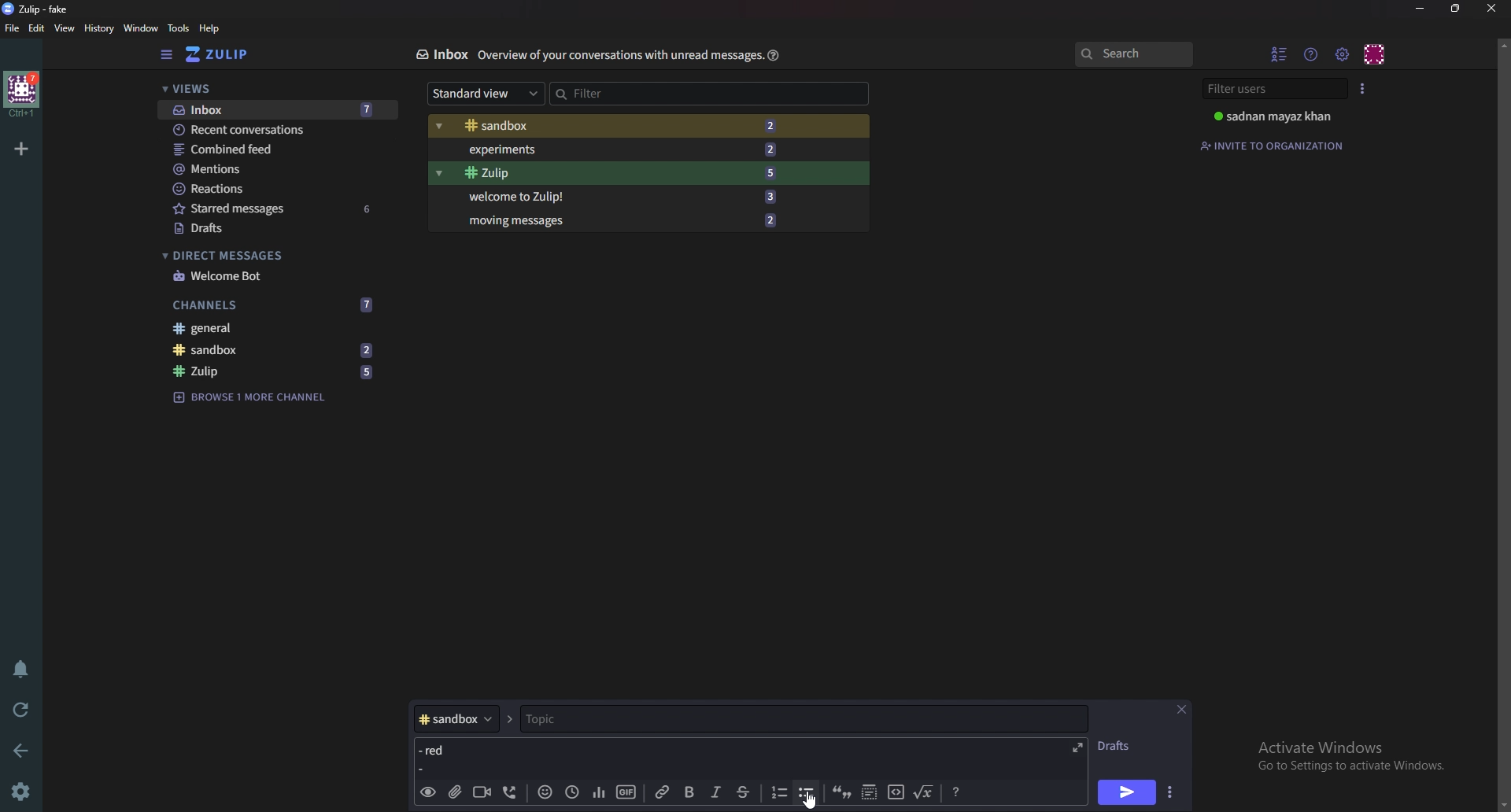 This screenshot has width=1511, height=812. I want to click on Drafts, so click(1119, 746).